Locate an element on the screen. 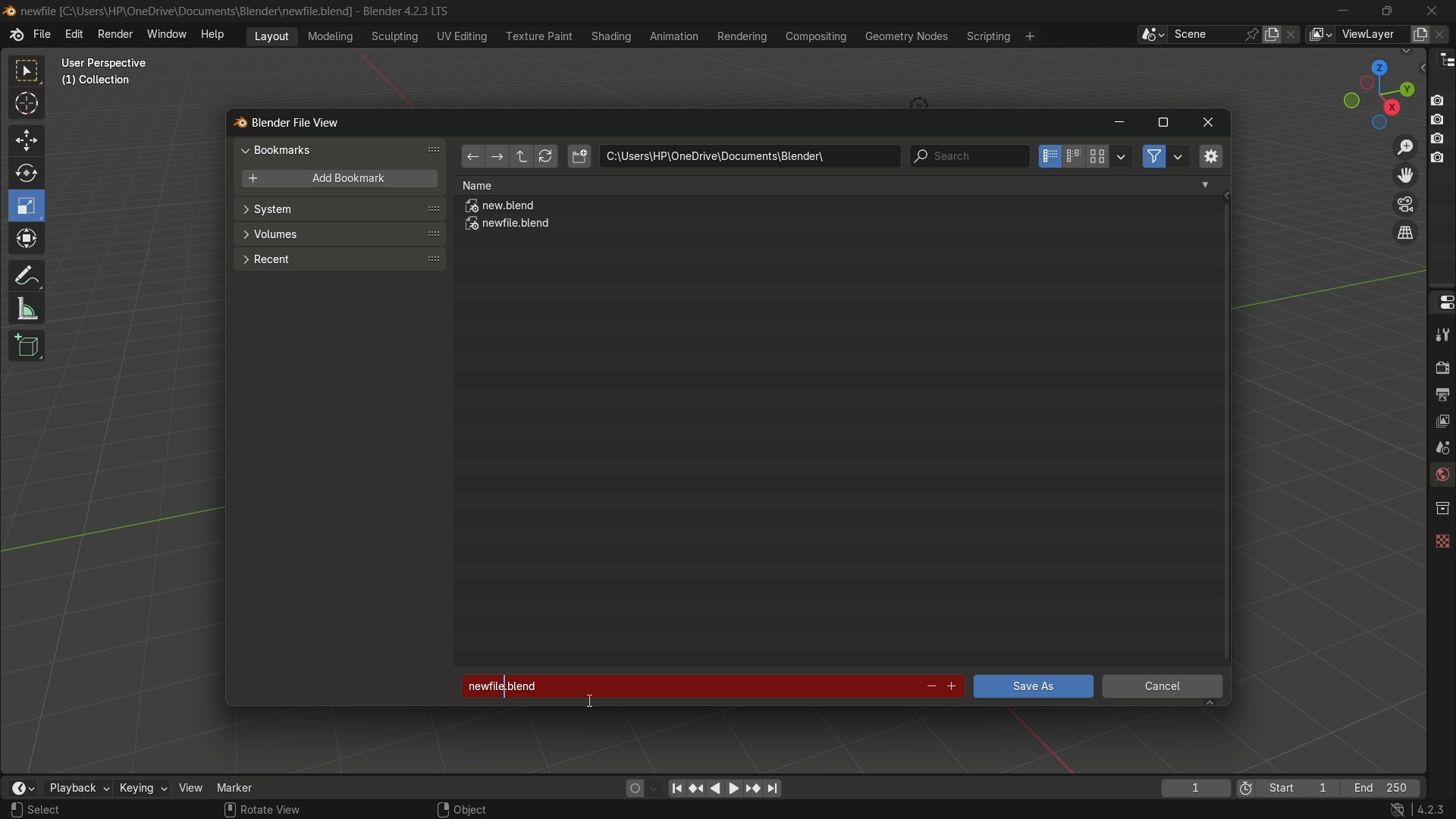  close window is located at coordinates (1209, 123).